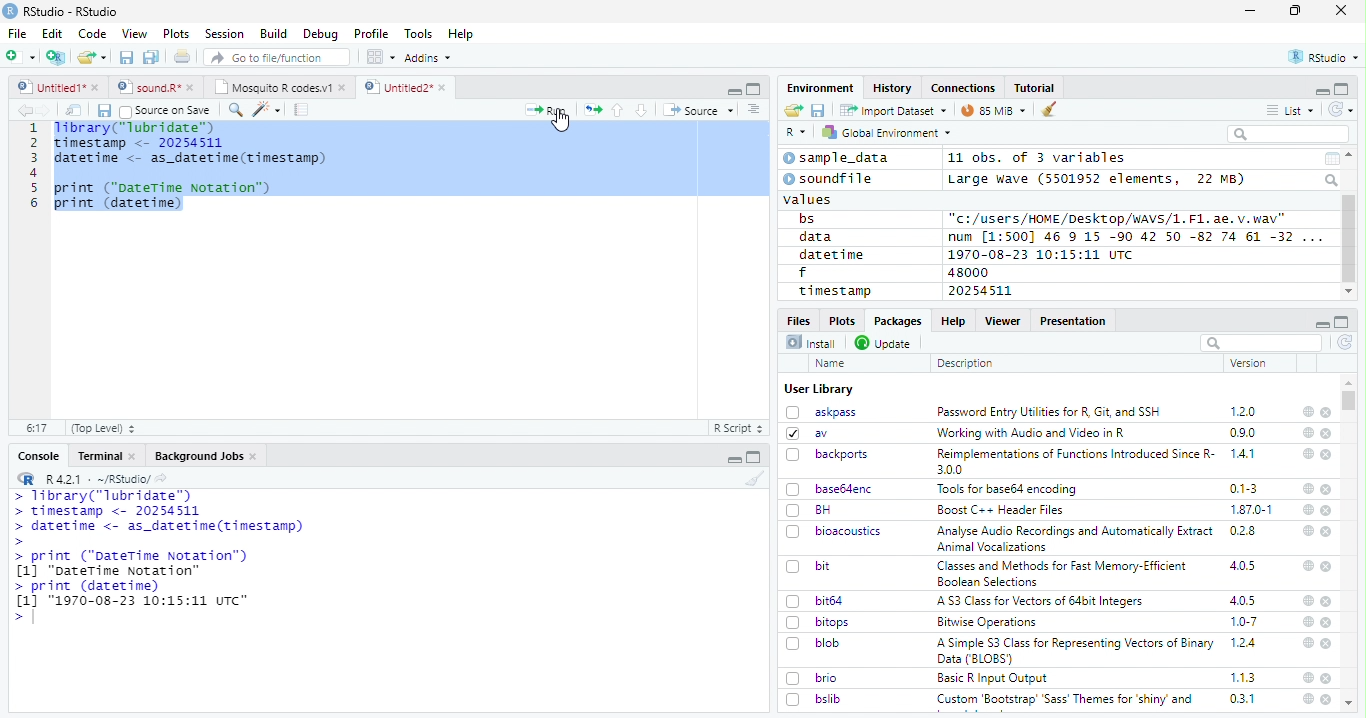  What do you see at coordinates (57, 88) in the screenshot?
I see `Untitled1*` at bounding box center [57, 88].